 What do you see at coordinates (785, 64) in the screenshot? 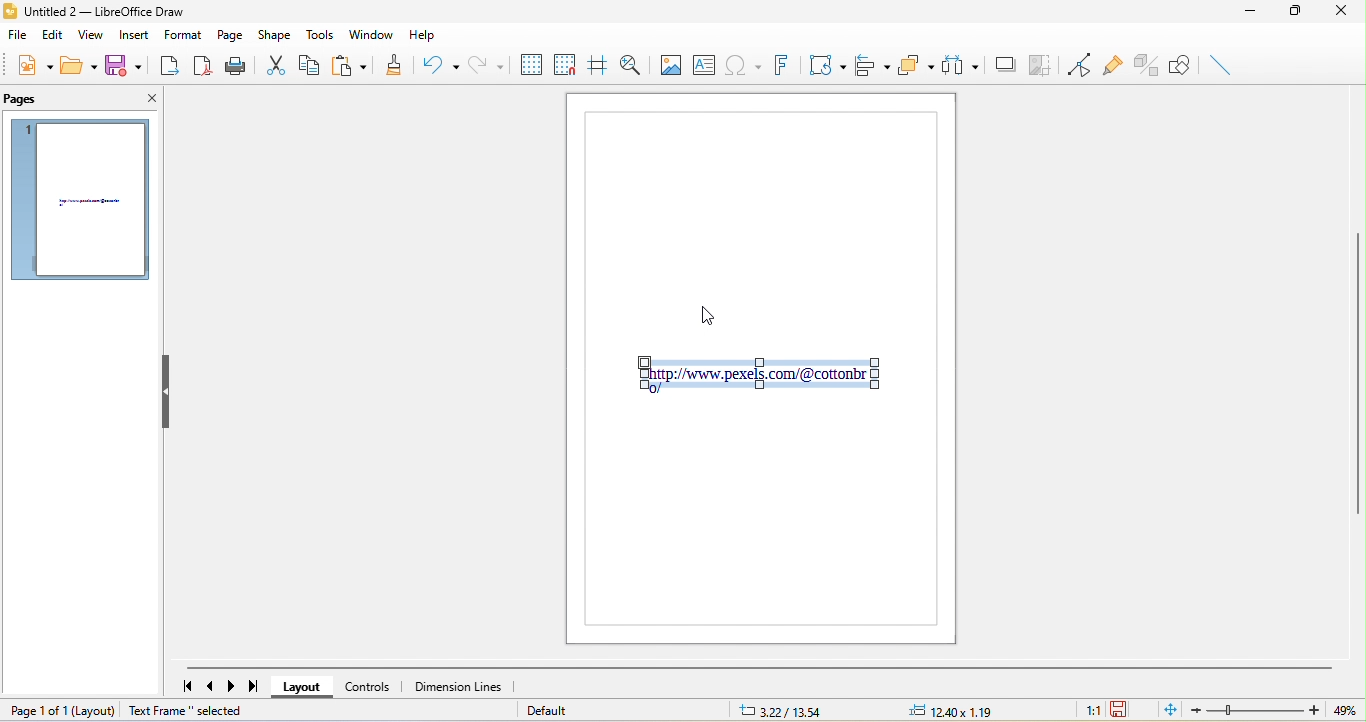
I see `font work text` at bounding box center [785, 64].